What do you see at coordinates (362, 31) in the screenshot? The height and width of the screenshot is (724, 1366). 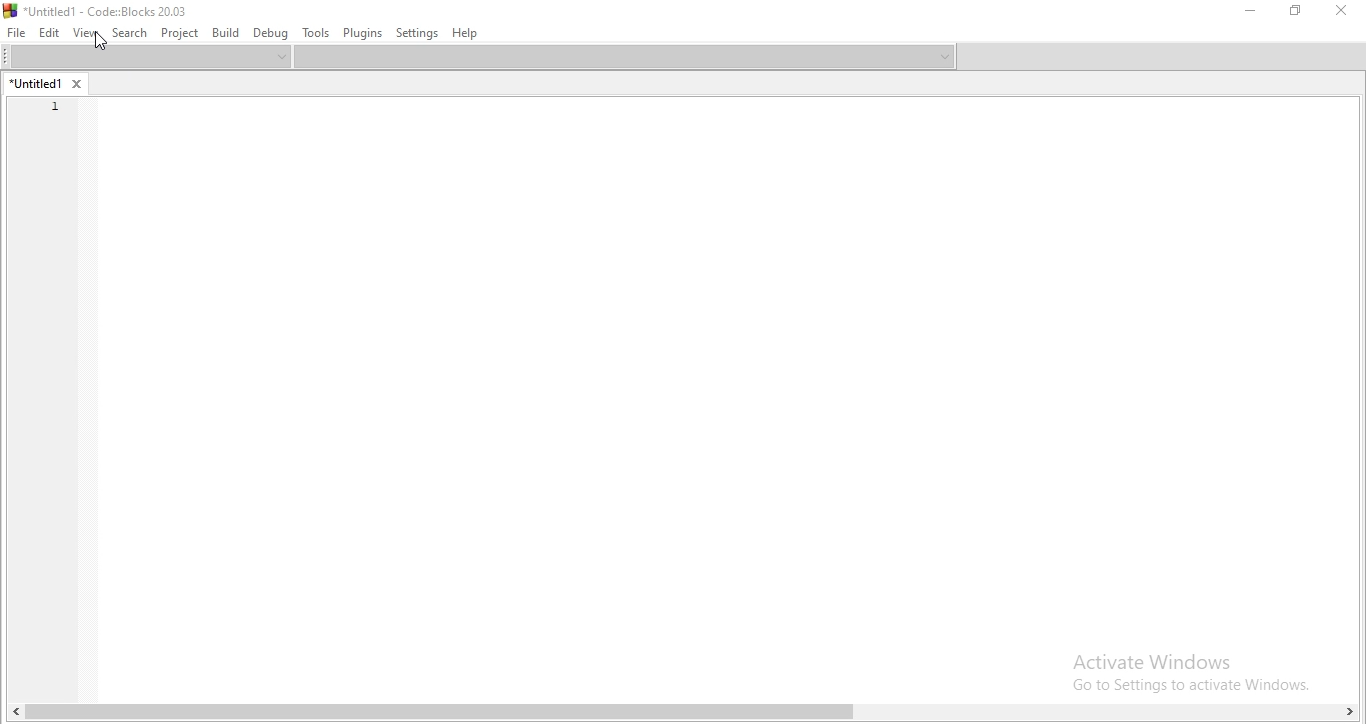 I see `Plugins ` at bounding box center [362, 31].